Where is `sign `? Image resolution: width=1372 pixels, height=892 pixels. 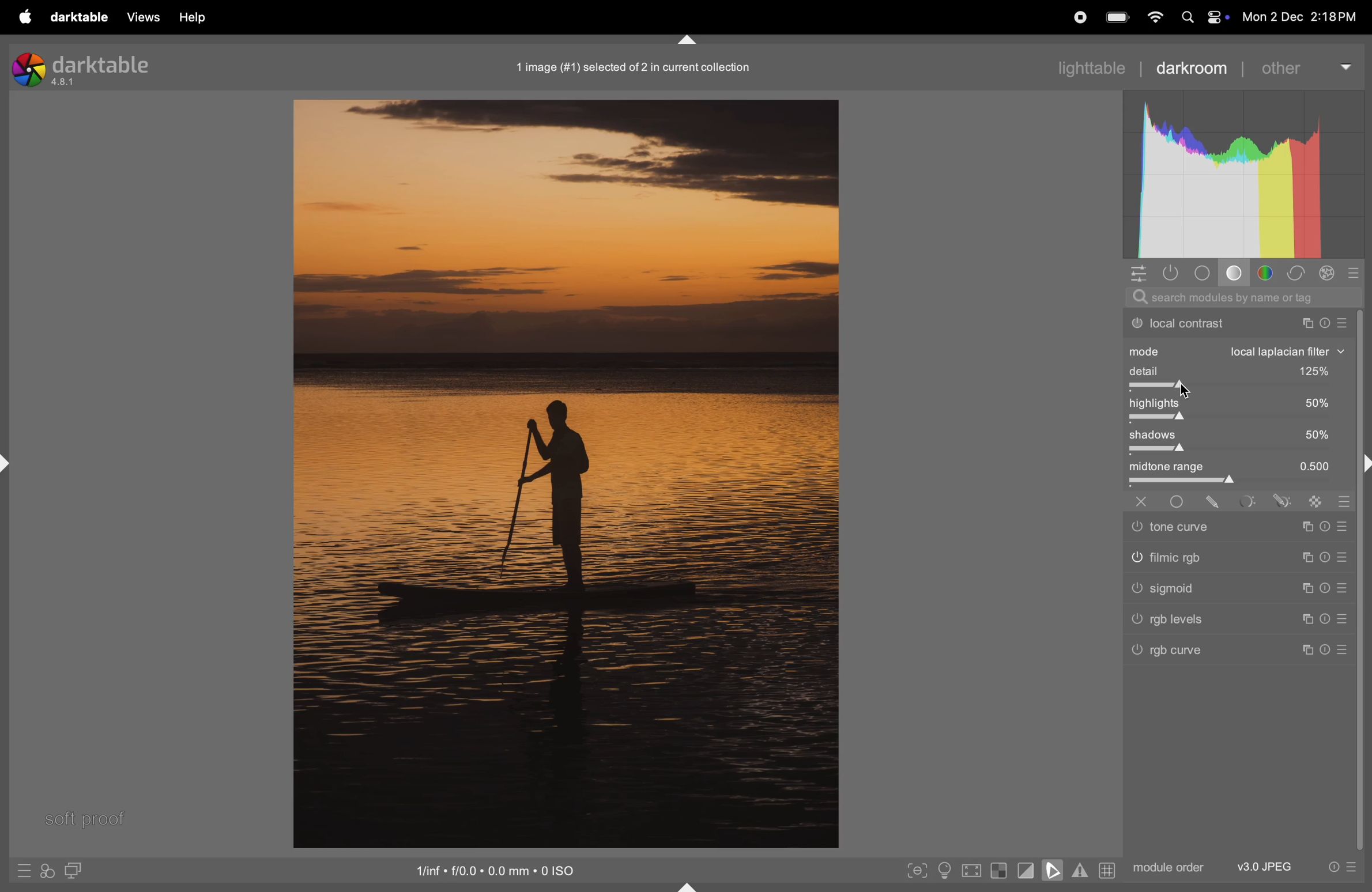 sign  is located at coordinates (1307, 587).